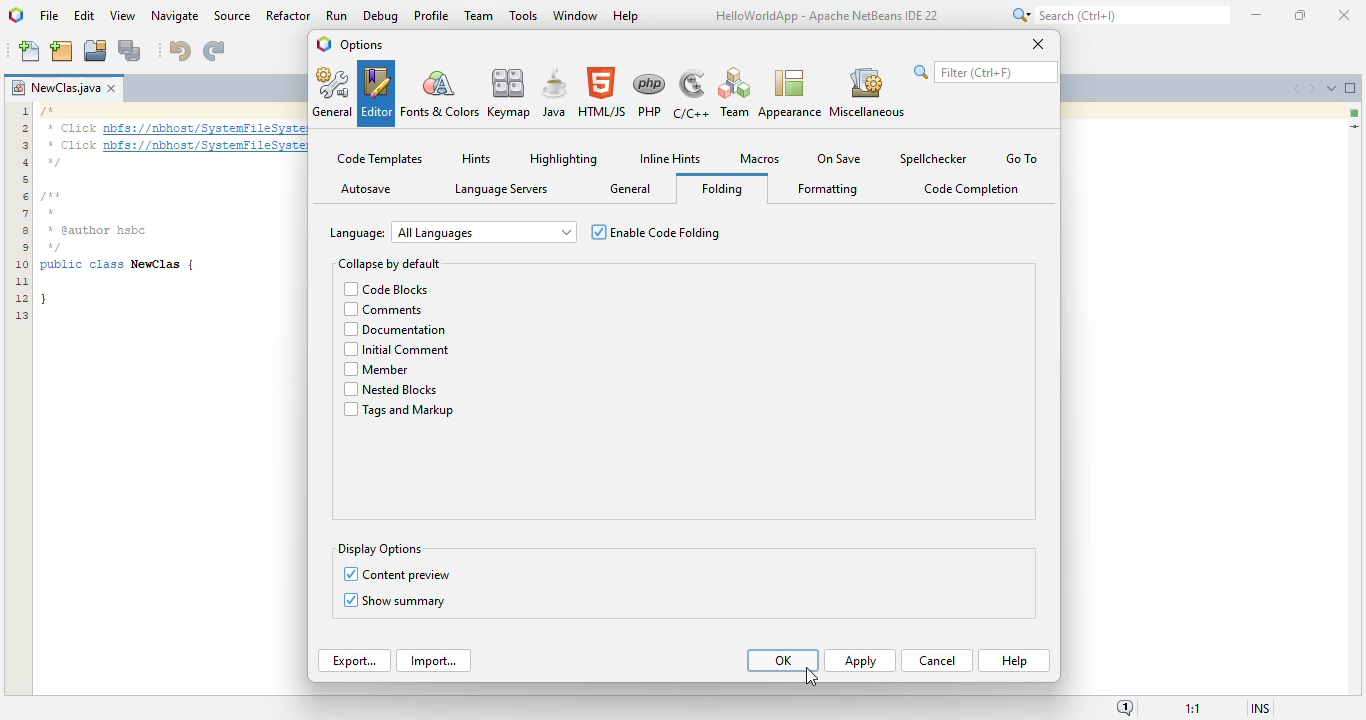 This screenshot has width=1366, height=720. What do you see at coordinates (405, 601) in the screenshot?
I see `show summary` at bounding box center [405, 601].